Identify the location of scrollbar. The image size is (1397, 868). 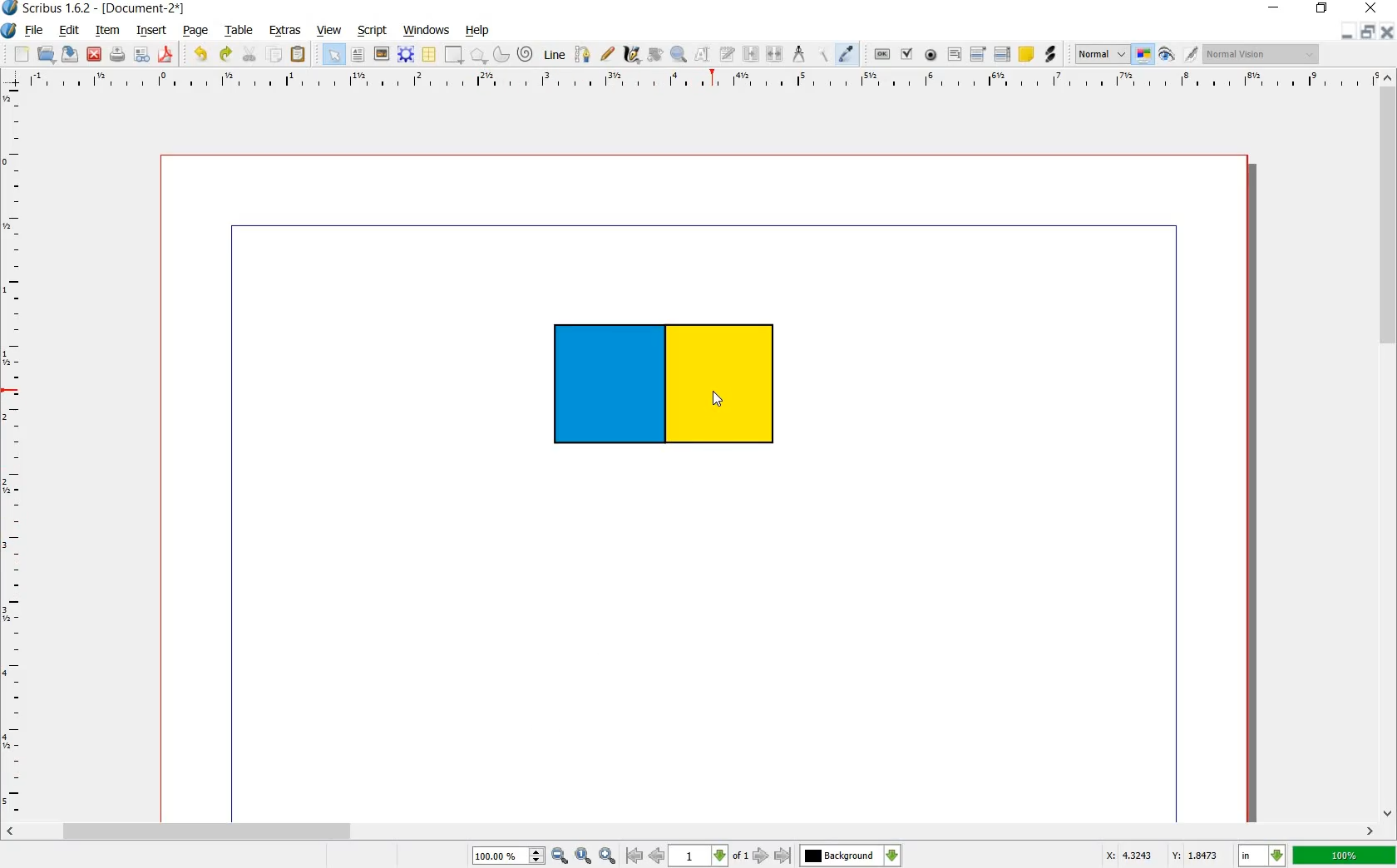
(691, 830).